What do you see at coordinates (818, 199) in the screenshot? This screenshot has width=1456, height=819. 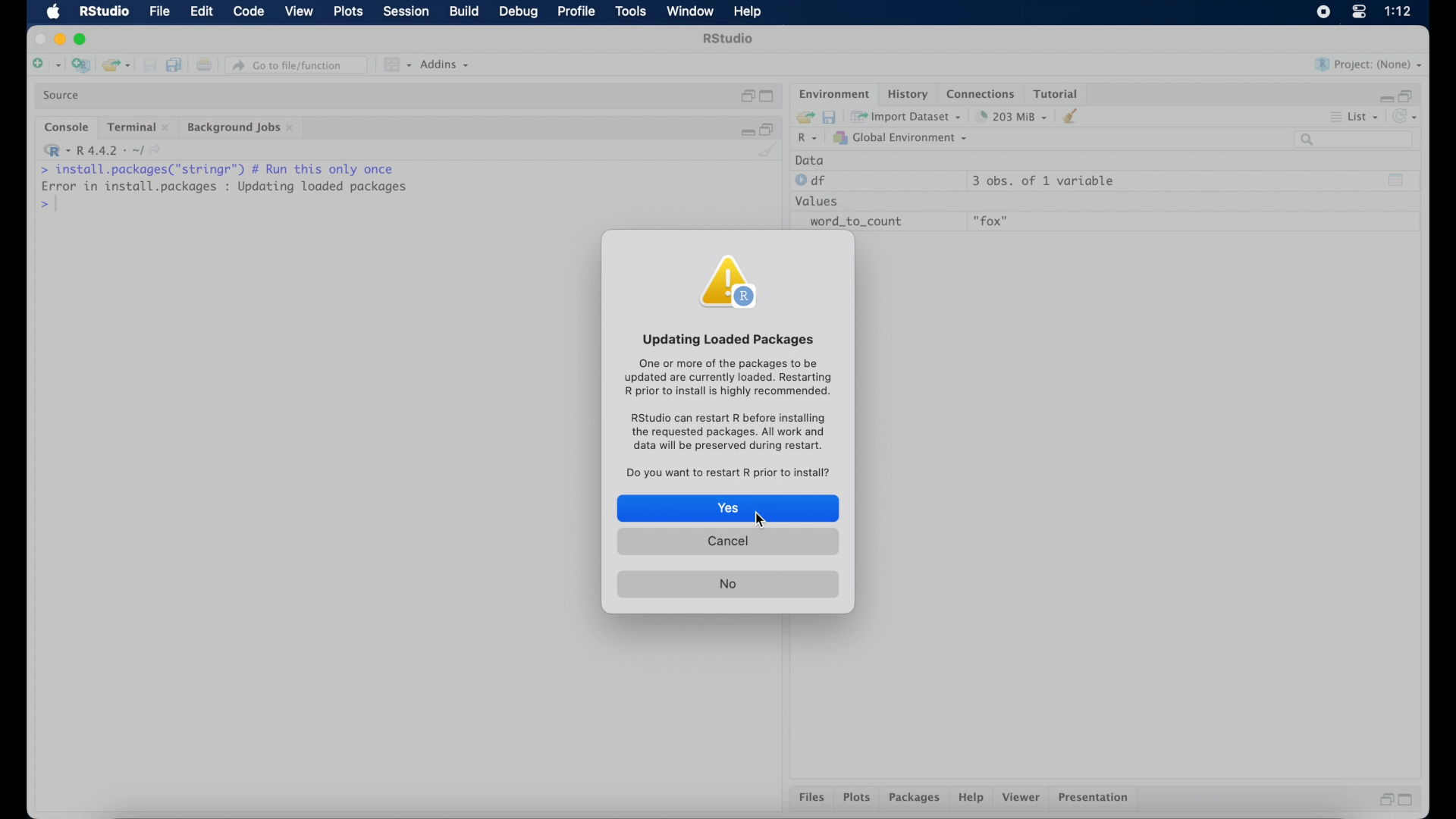 I see `values` at bounding box center [818, 199].